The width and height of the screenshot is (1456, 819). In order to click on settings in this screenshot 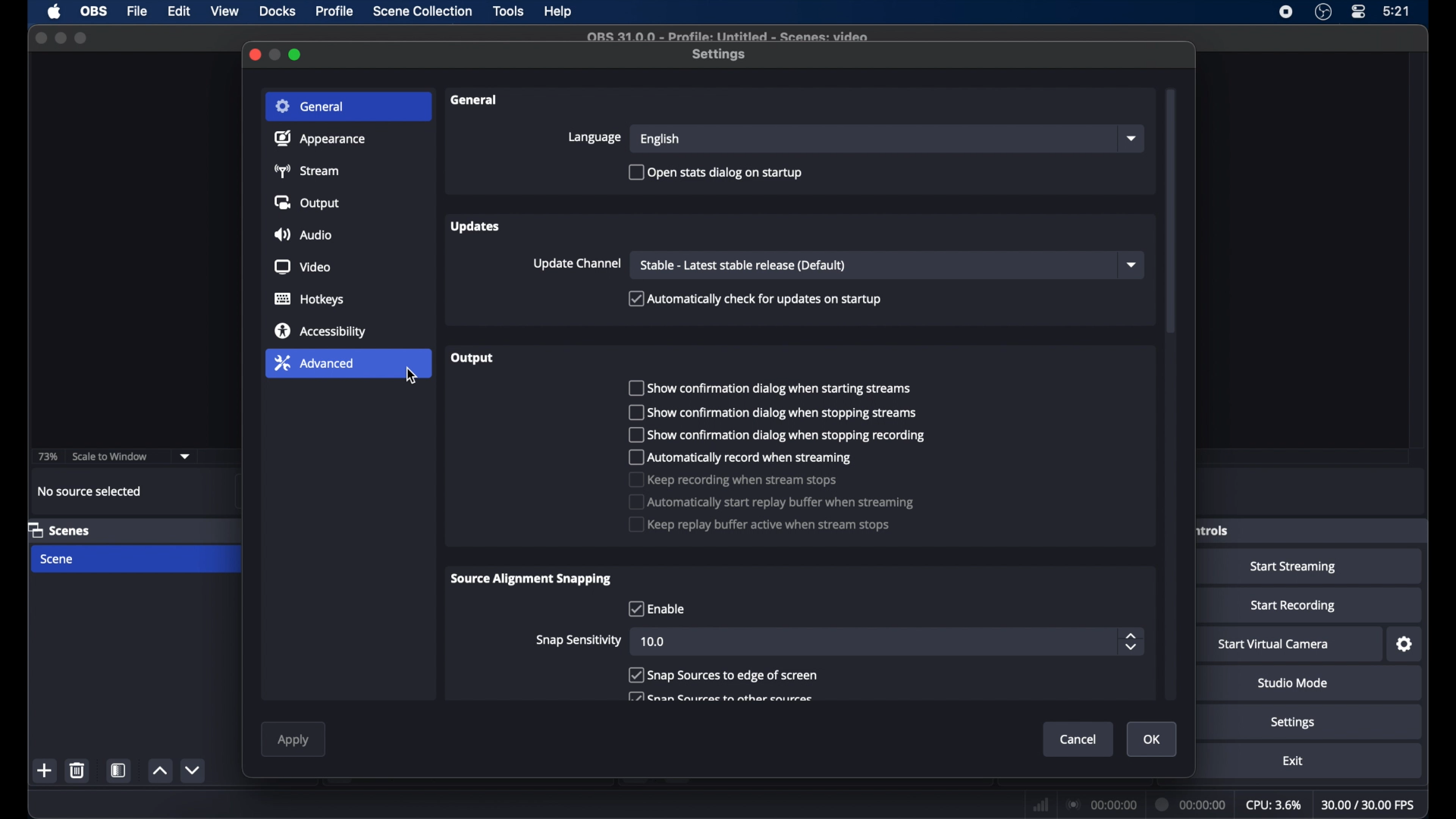, I will do `click(1292, 723)`.